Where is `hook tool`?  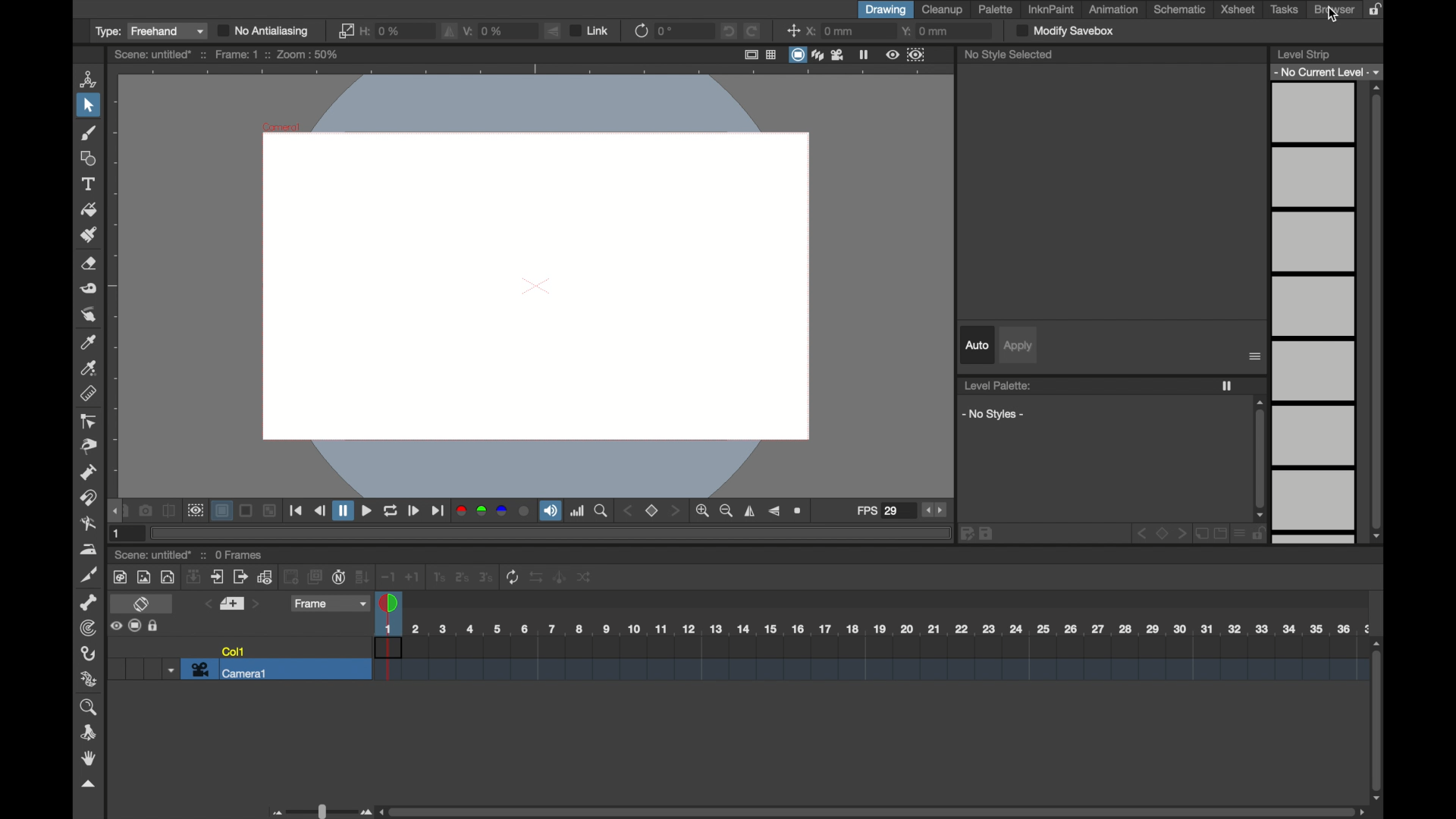
hook tool is located at coordinates (90, 654).